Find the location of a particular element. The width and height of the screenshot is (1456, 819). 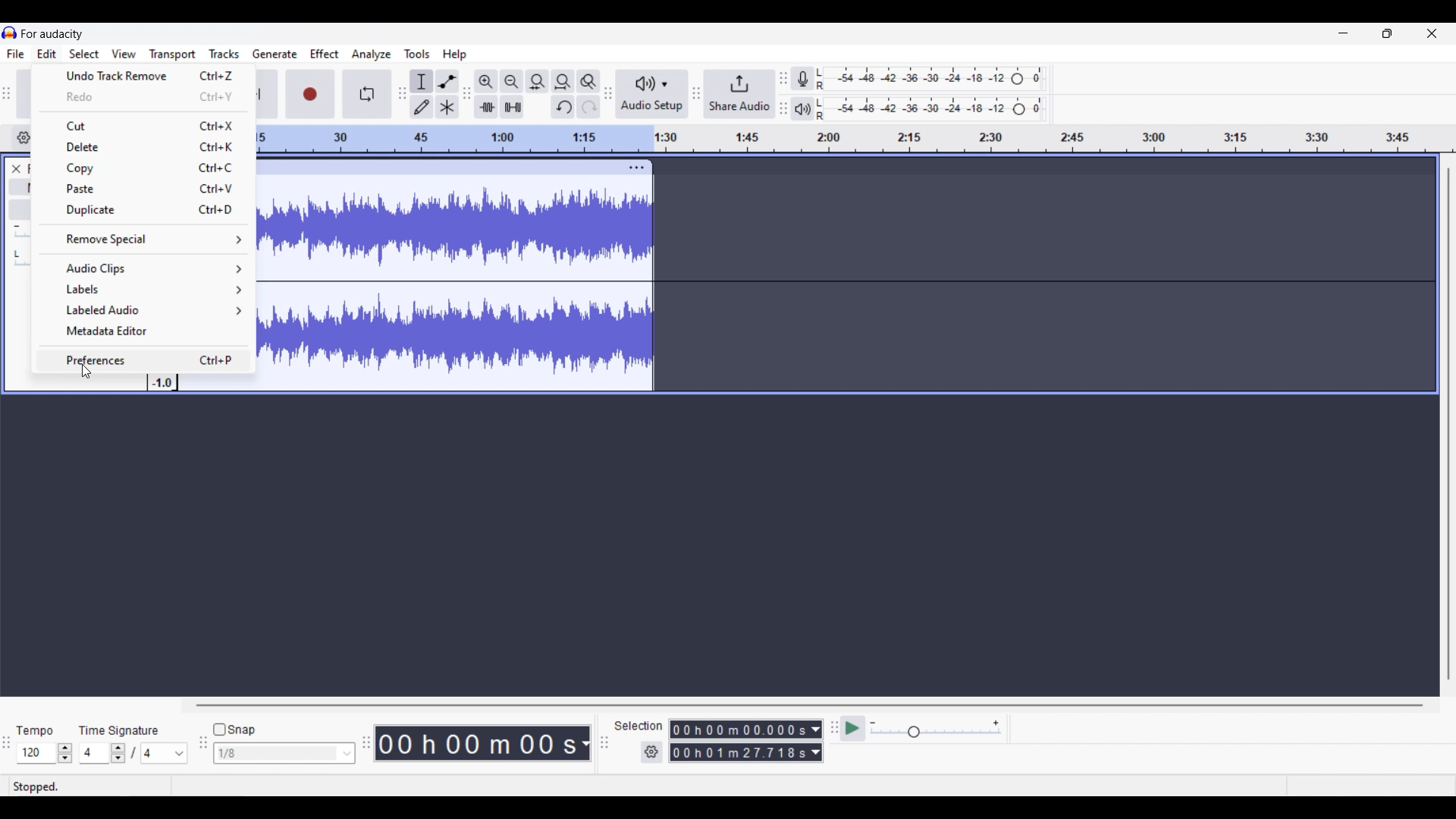

selection is located at coordinates (639, 726).